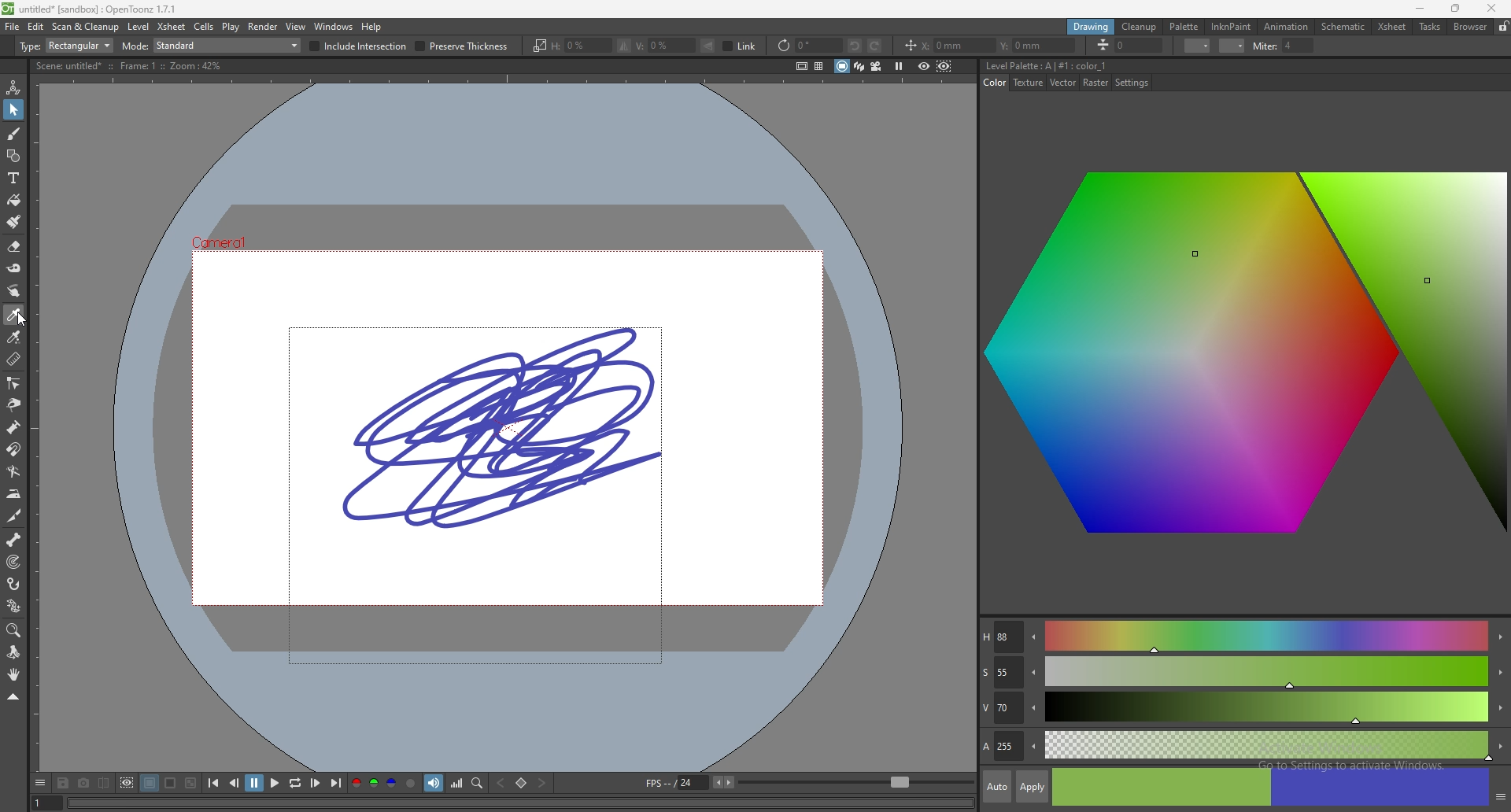  Describe the element at coordinates (102, 783) in the screenshot. I see `compare to snapshot` at that location.